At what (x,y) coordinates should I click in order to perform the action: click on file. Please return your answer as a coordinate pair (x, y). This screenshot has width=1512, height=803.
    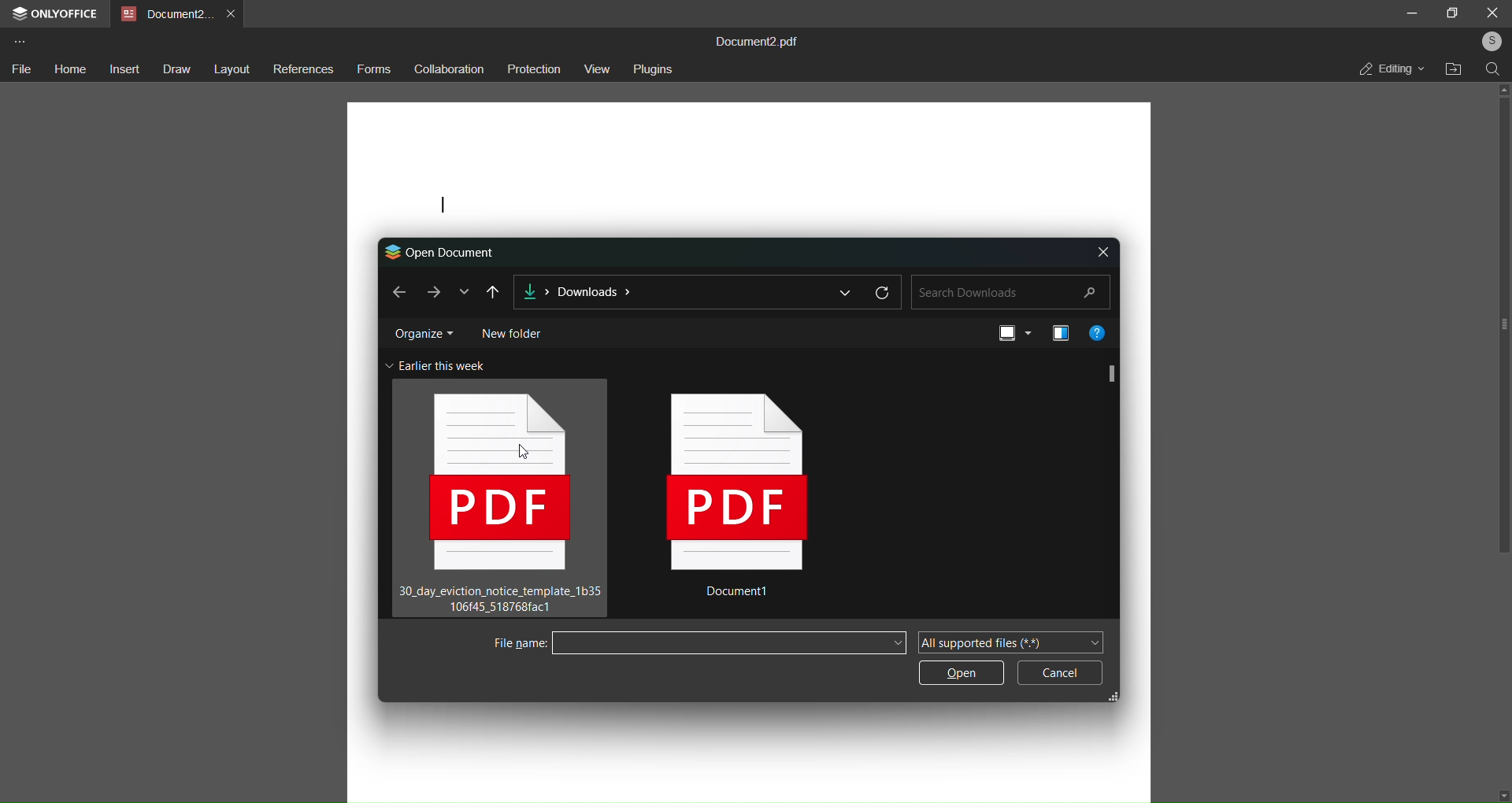
    Looking at the image, I should click on (20, 69).